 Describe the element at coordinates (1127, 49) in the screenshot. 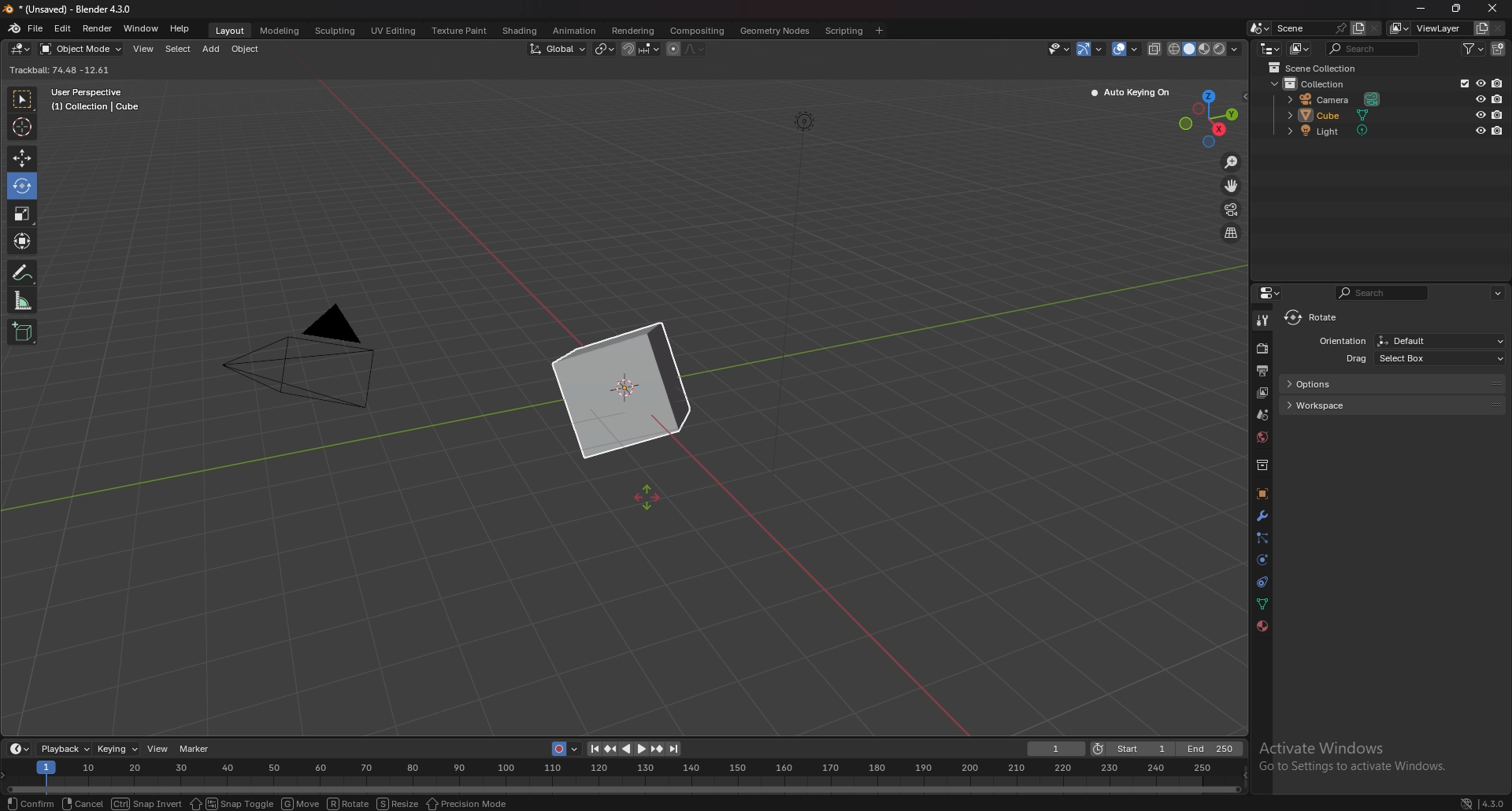

I see `overlays` at that location.